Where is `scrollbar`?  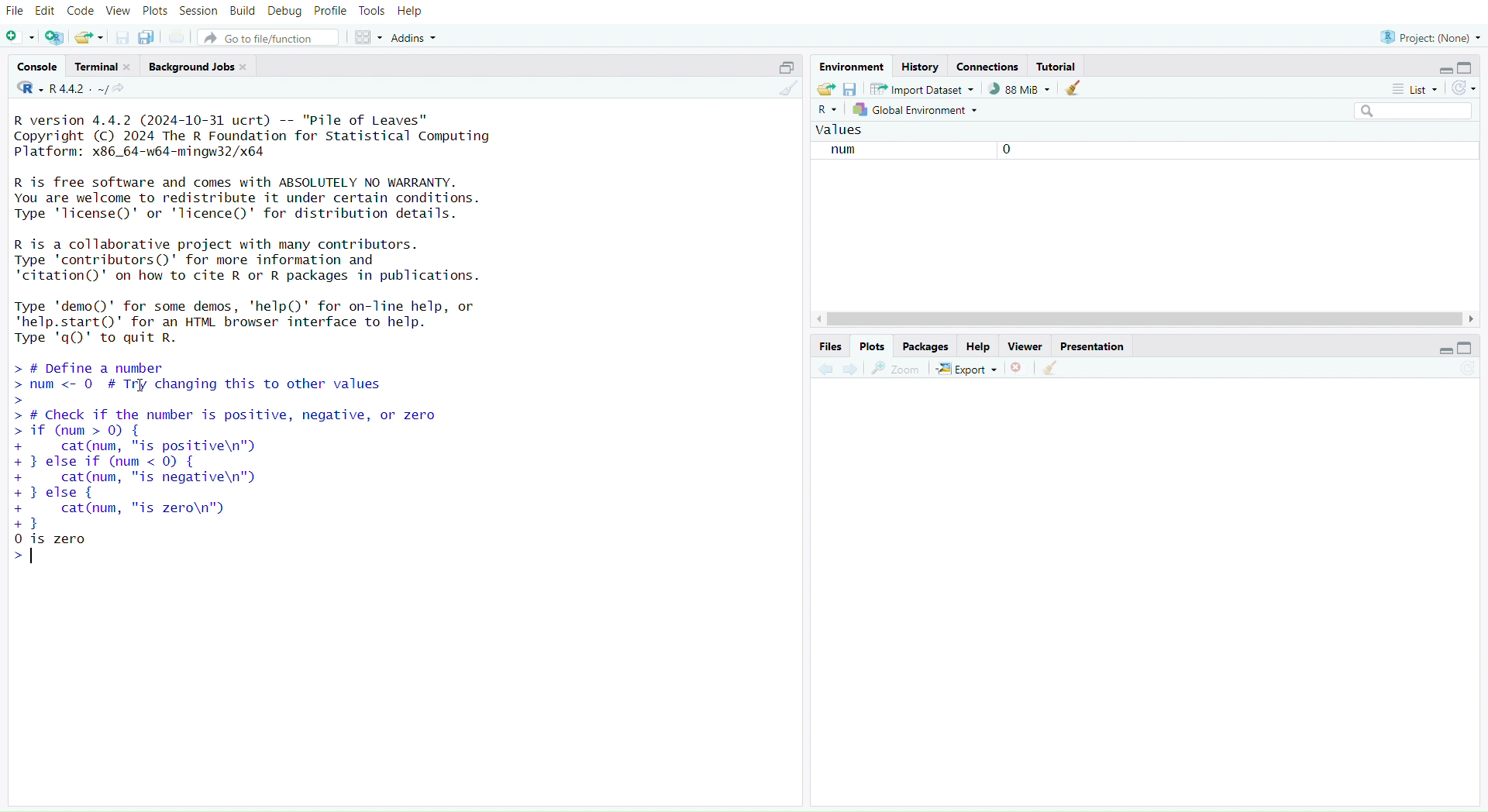 scrollbar is located at coordinates (1143, 319).